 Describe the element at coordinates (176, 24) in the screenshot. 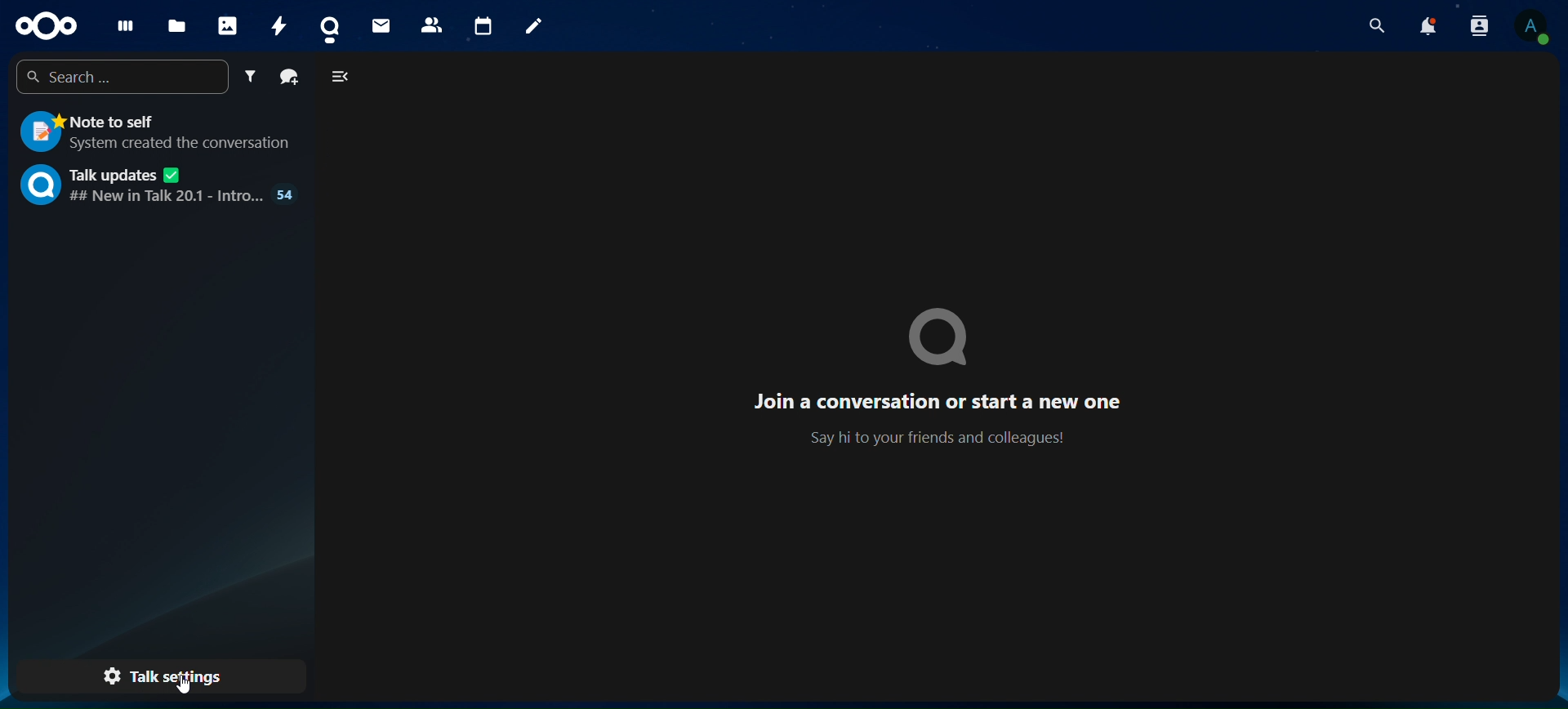

I see `files` at that location.